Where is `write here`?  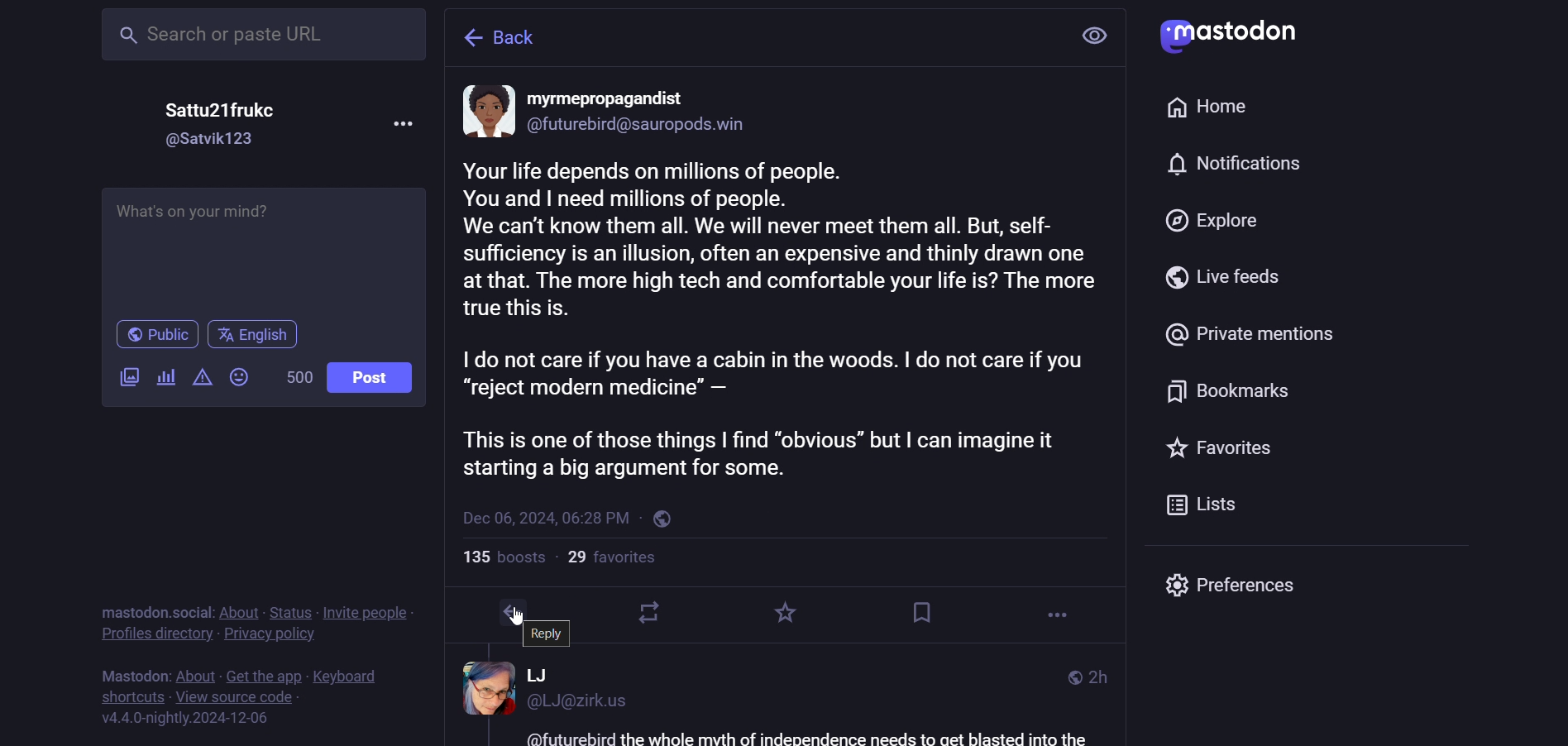
write here is located at coordinates (265, 248).